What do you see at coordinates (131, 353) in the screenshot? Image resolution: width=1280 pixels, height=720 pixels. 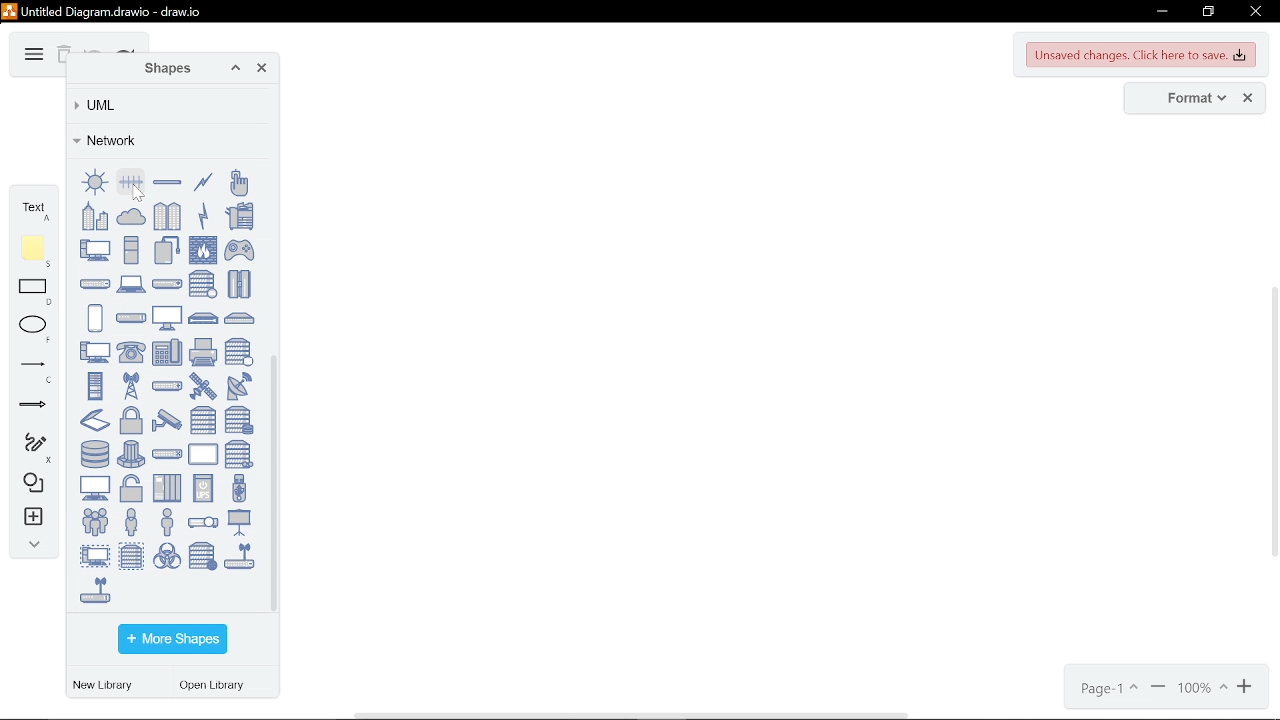 I see `phone` at bounding box center [131, 353].